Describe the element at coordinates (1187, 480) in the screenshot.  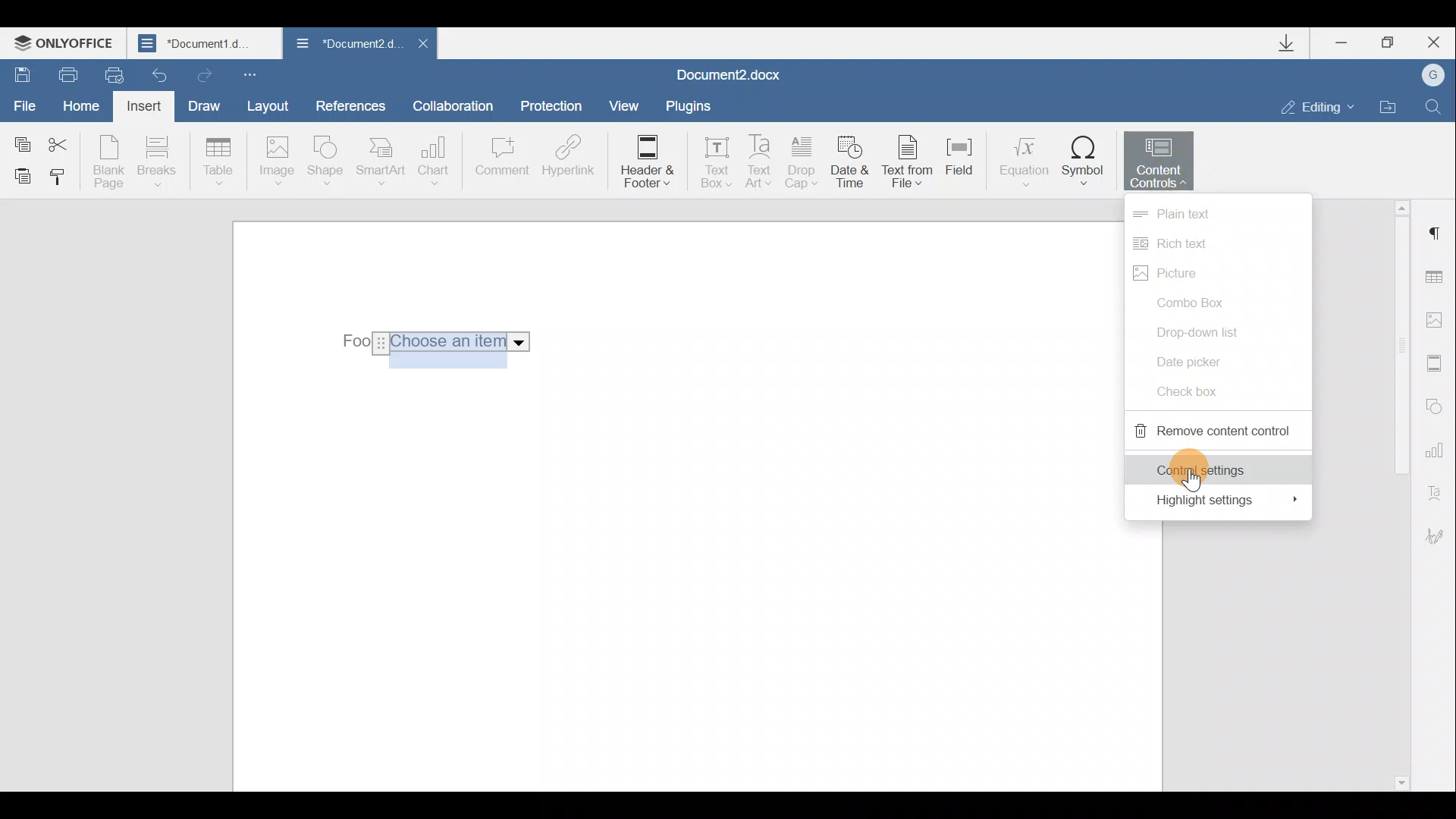
I see `Cursor` at that location.